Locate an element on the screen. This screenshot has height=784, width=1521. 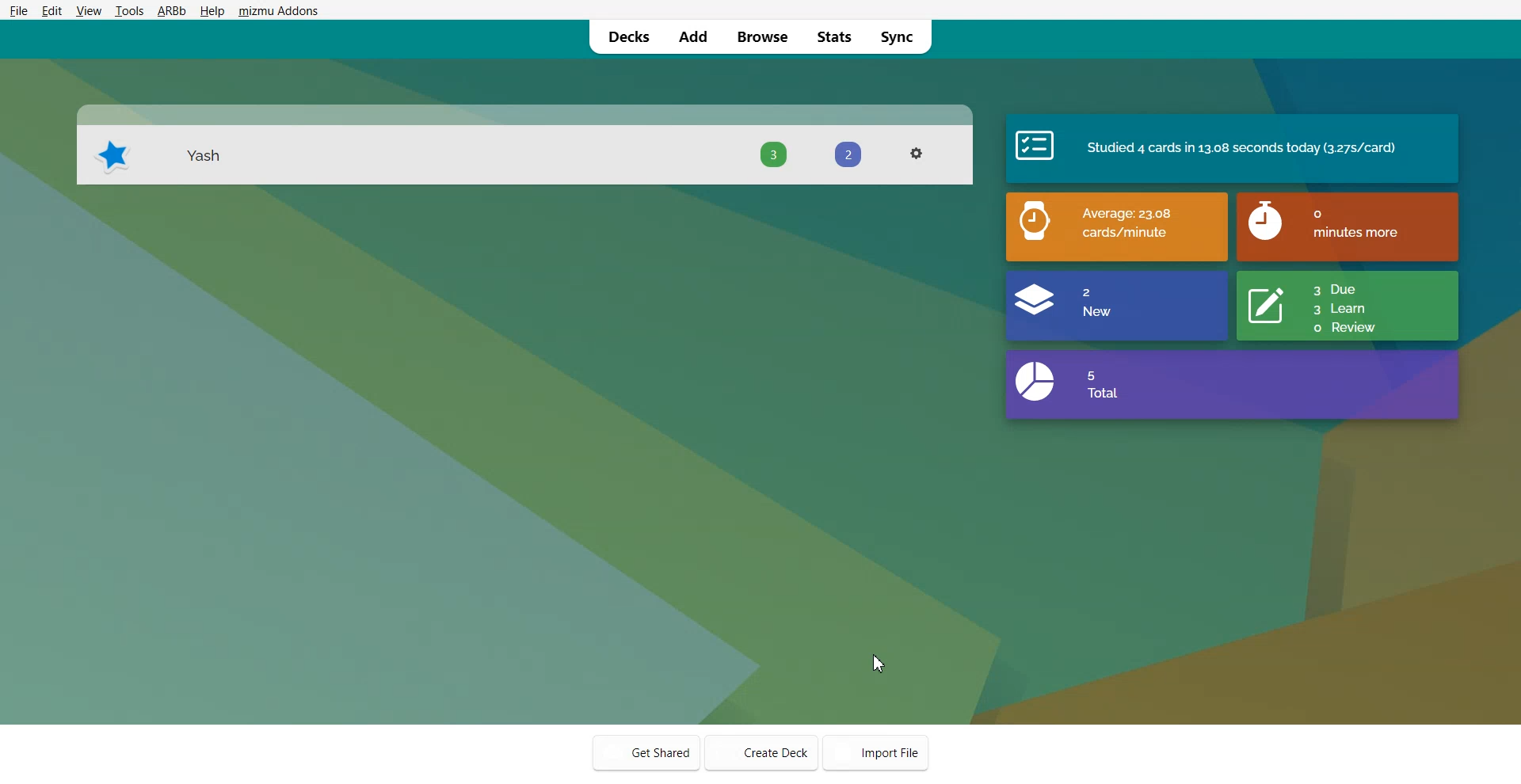
2 New file is located at coordinates (1115, 306).